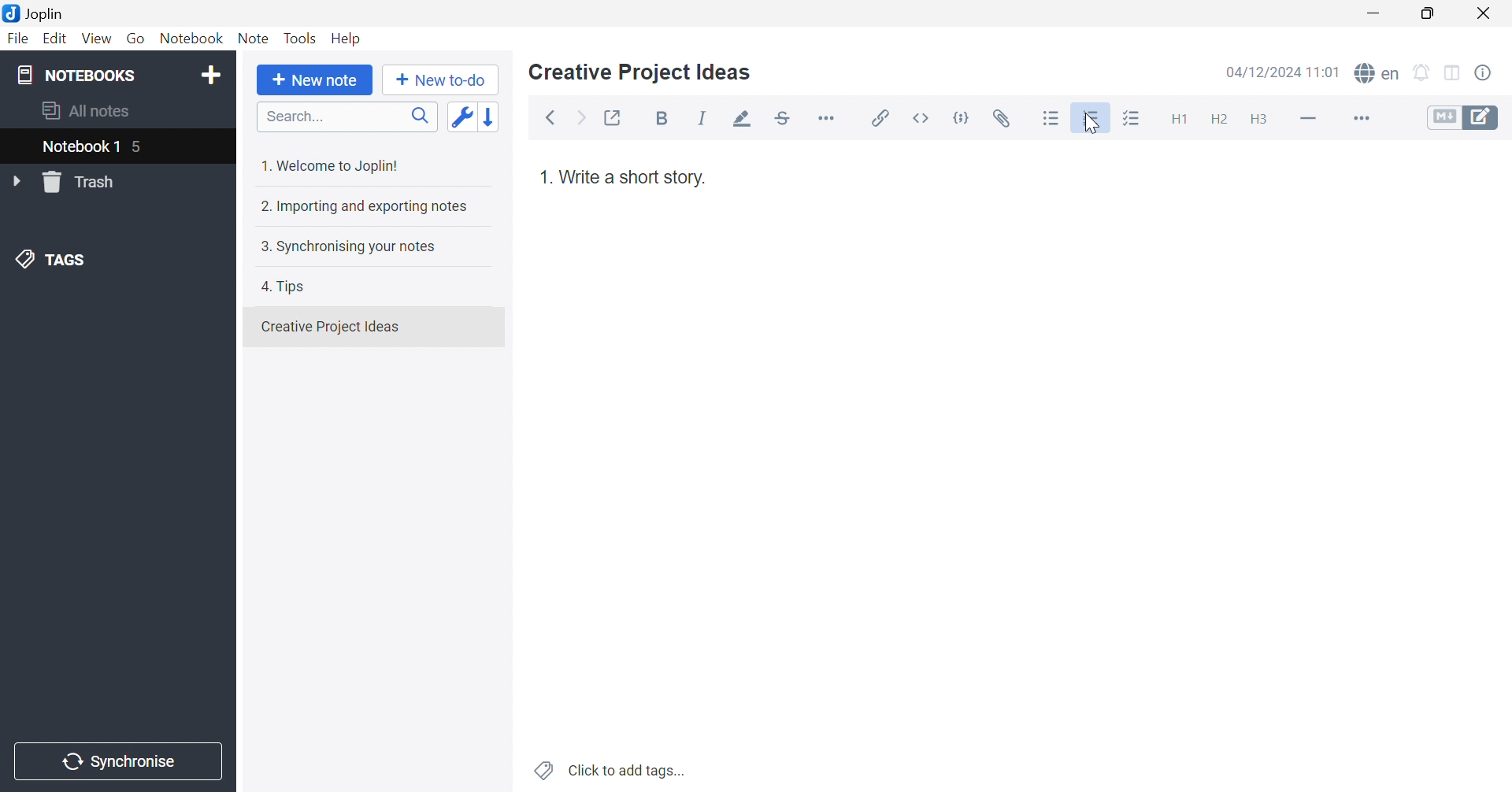 This screenshot has width=1512, height=792. I want to click on 2. Importing and exporting notes, so click(367, 208).